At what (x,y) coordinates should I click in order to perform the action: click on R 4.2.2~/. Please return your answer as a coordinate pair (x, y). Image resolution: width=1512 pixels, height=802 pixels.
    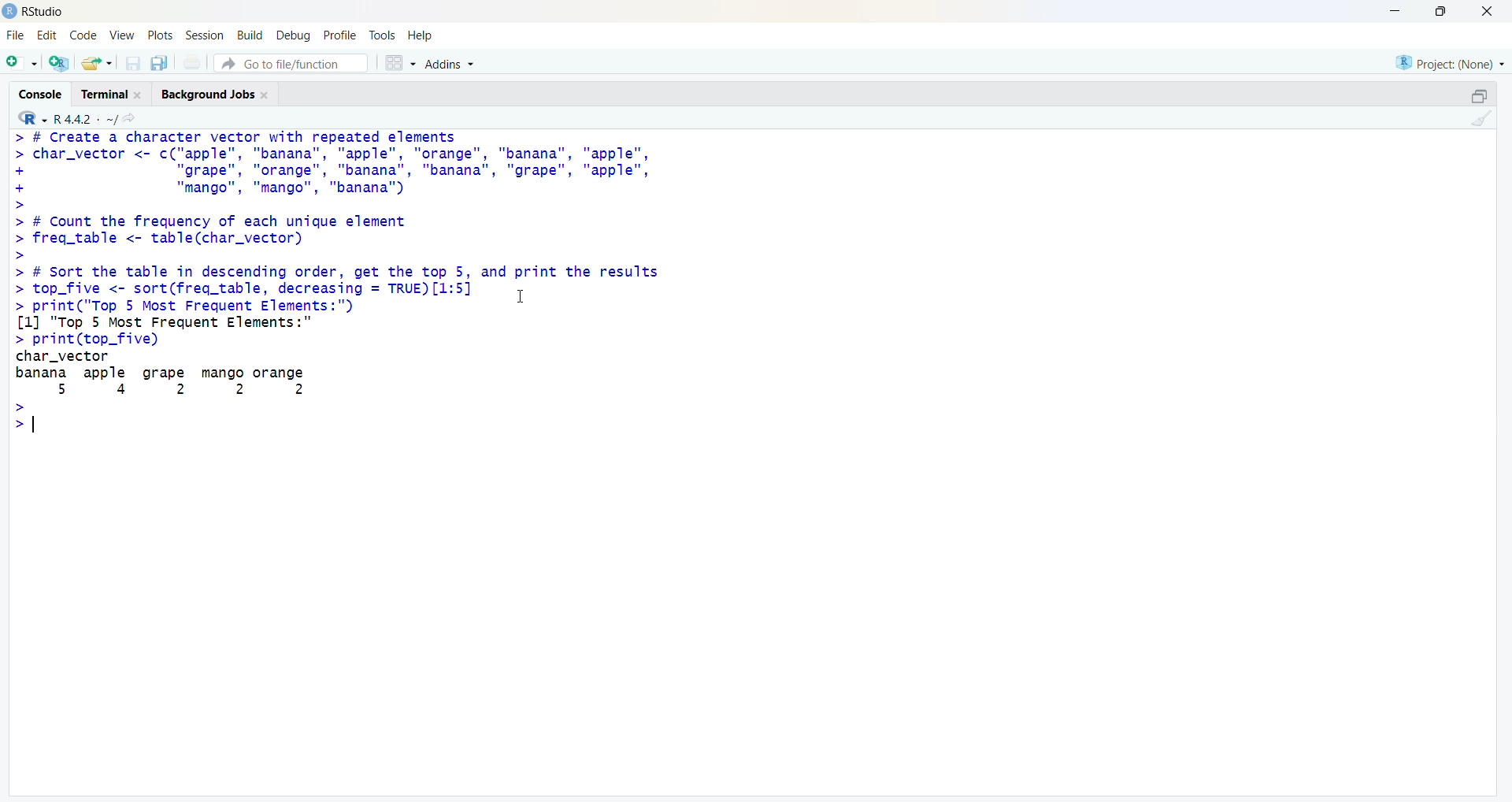
    Looking at the image, I should click on (81, 117).